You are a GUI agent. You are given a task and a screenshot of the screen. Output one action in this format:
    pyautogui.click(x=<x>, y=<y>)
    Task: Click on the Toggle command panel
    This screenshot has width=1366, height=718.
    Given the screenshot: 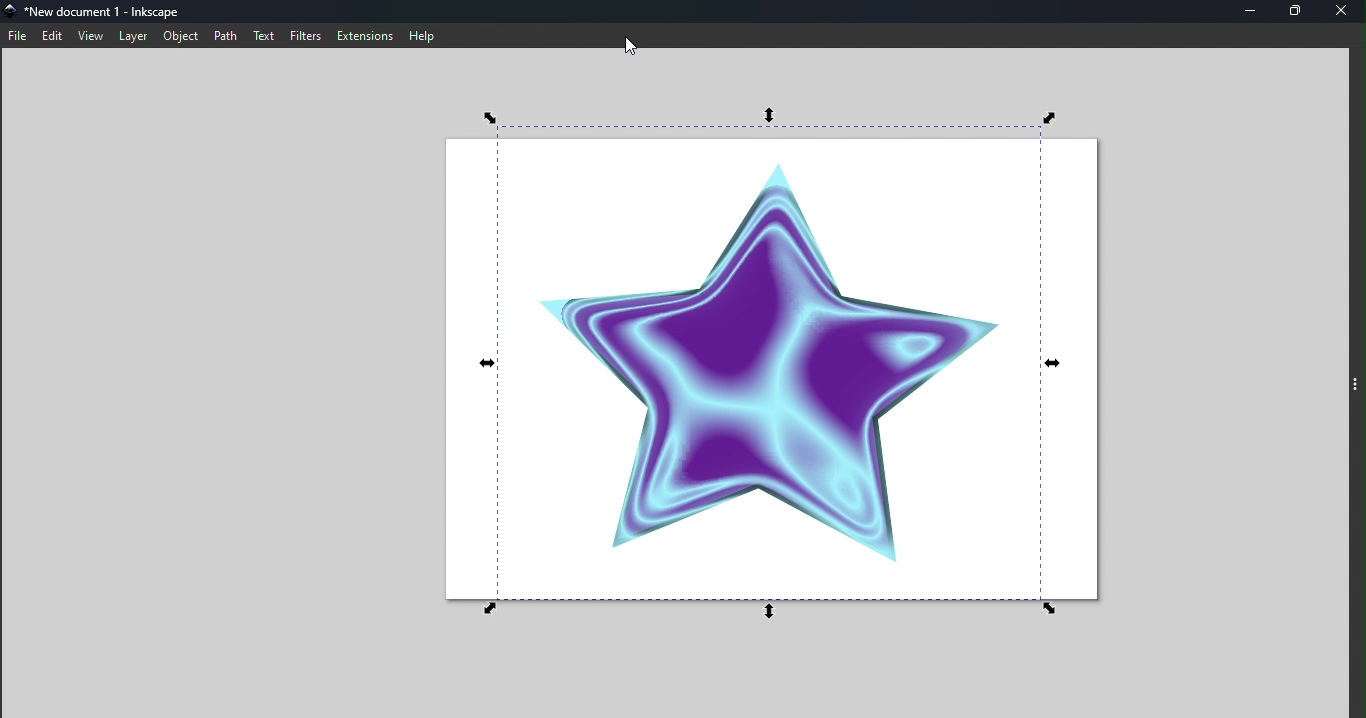 What is the action you would take?
    pyautogui.click(x=1353, y=385)
    